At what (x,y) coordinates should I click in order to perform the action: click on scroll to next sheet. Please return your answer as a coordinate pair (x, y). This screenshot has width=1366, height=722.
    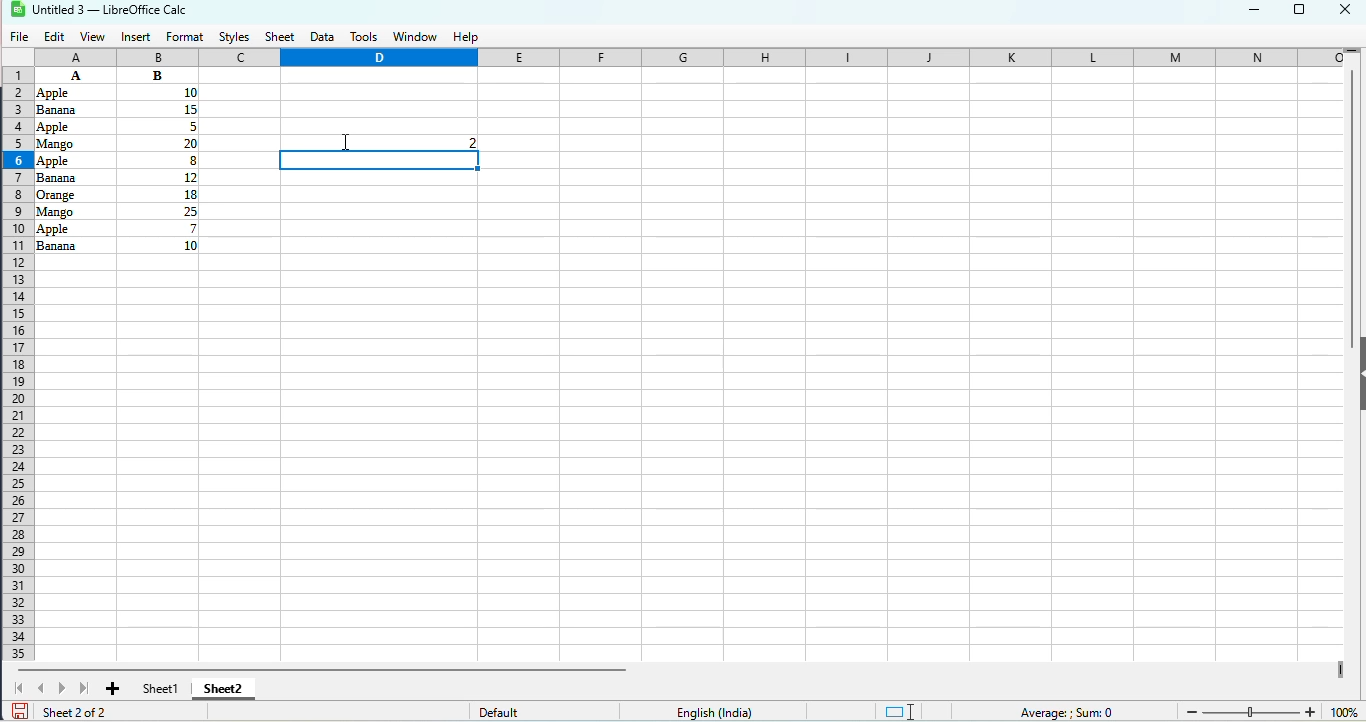
    Looking at the image, I should click on (64, 688).